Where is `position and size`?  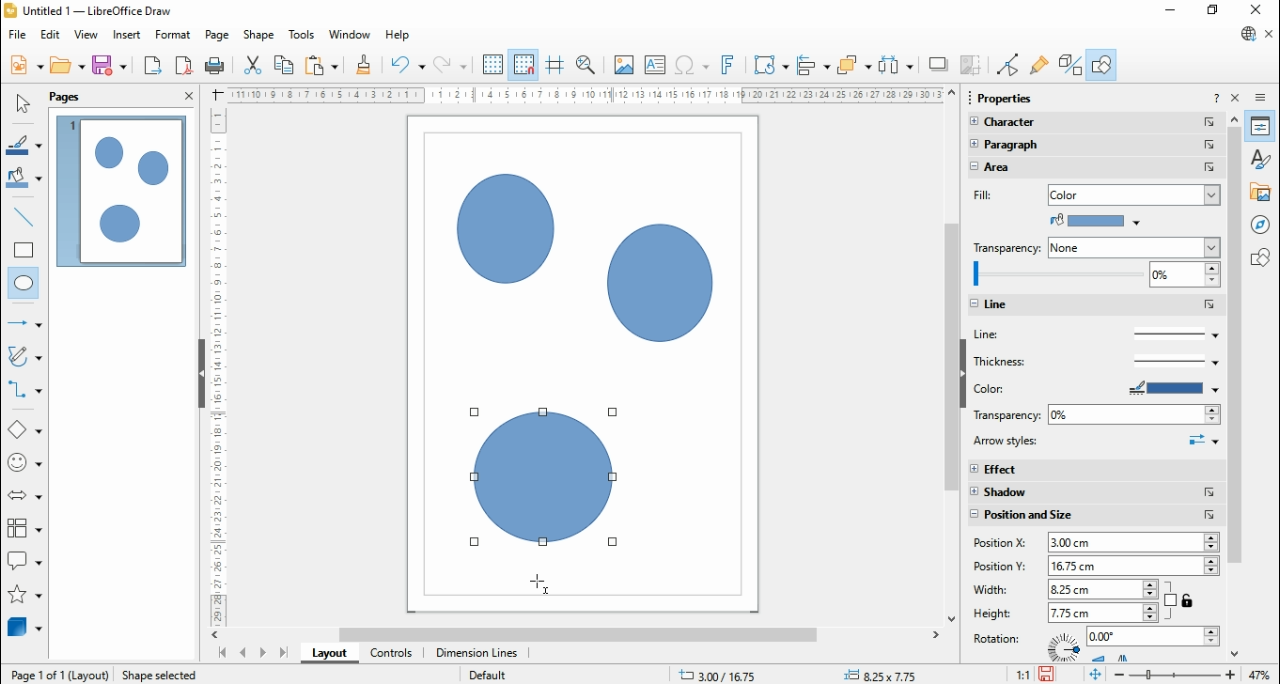
position and size is located at coordinates (1094, 517).